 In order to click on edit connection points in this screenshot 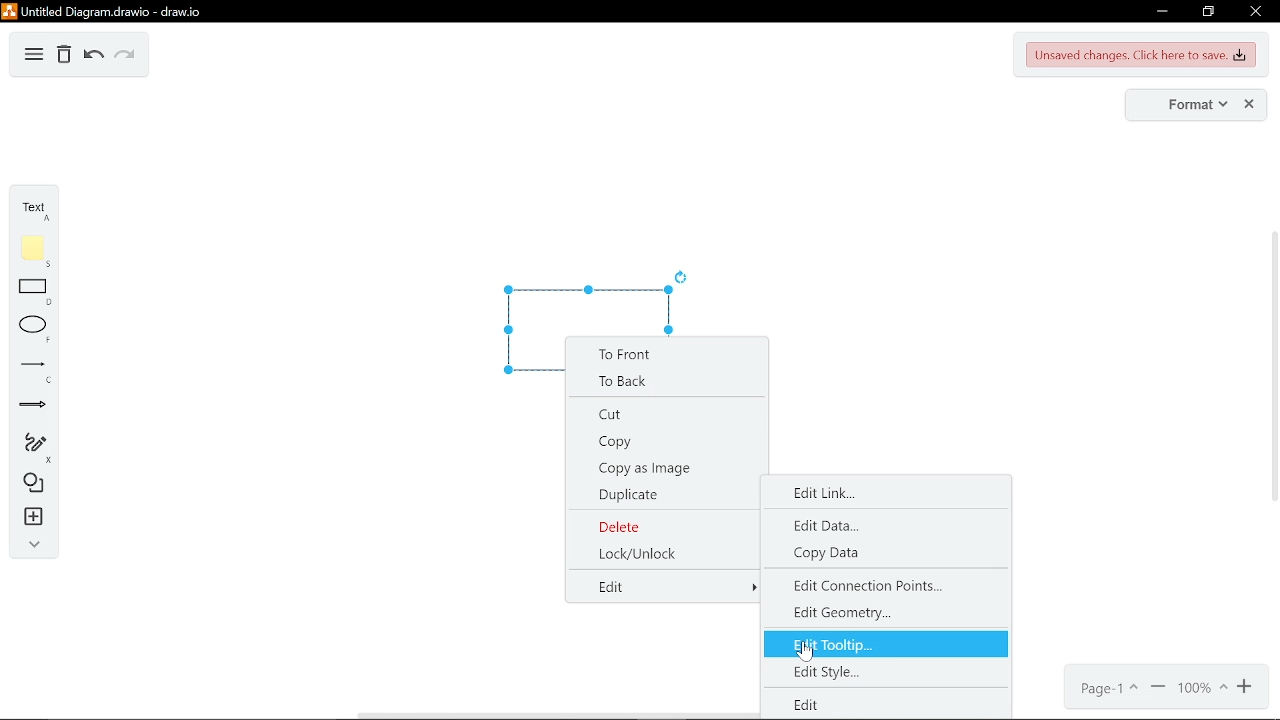, I will do `click(862, 590)`.